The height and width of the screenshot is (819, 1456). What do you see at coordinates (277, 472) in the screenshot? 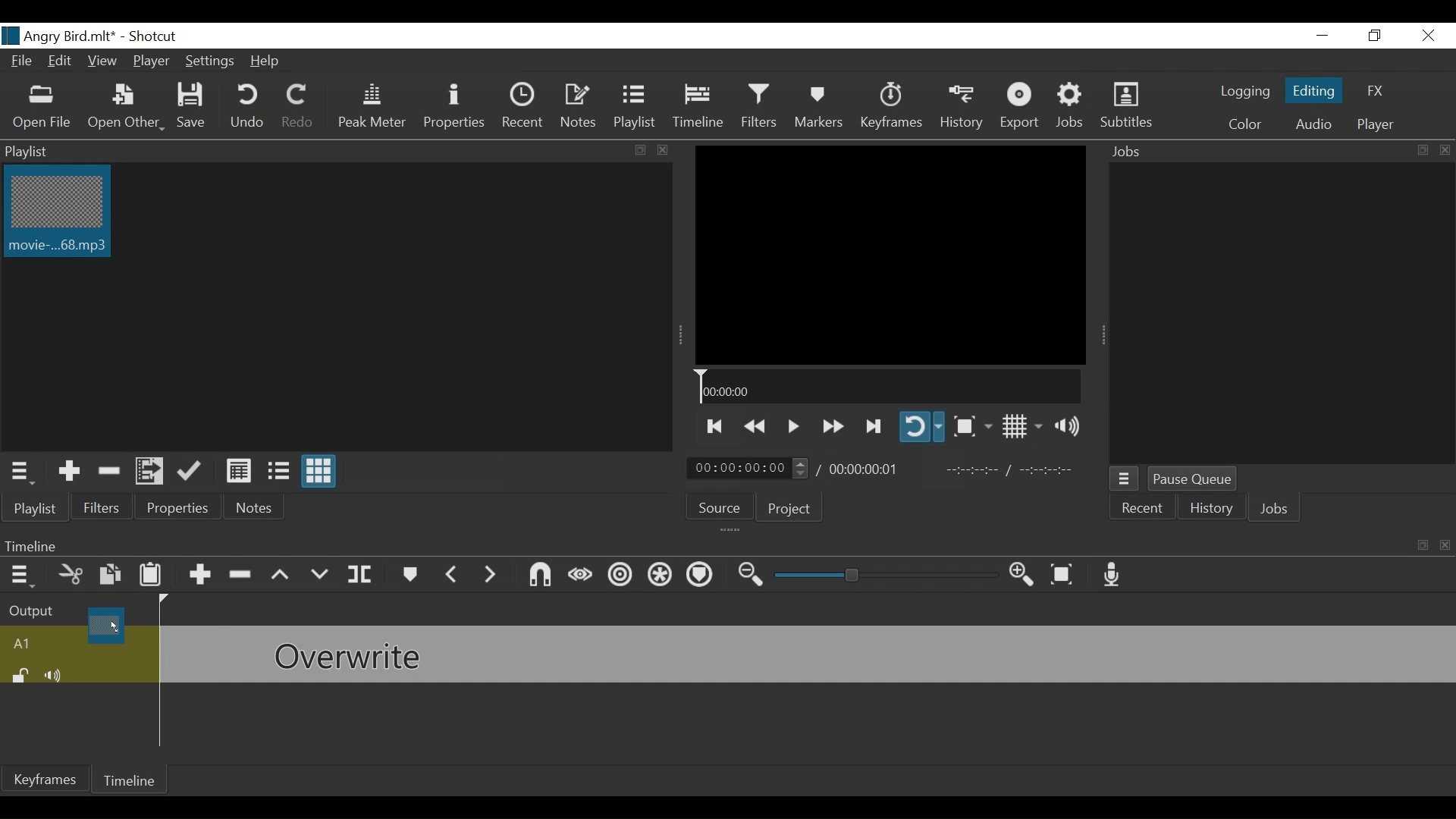
I see `View as files` at bounding box center [277, 472].